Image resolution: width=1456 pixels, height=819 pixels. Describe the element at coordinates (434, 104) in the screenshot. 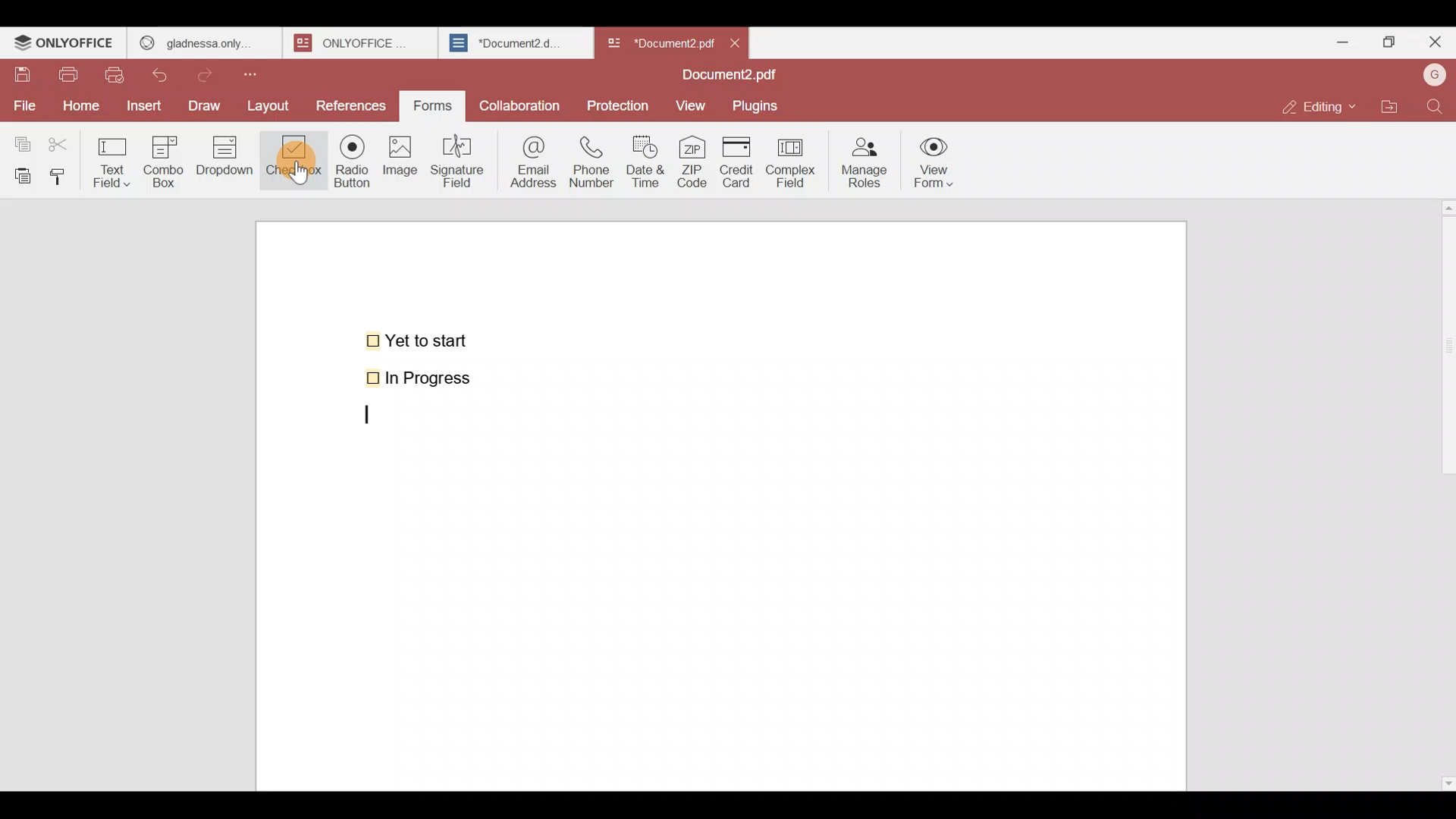

I see `Forms` at that location.